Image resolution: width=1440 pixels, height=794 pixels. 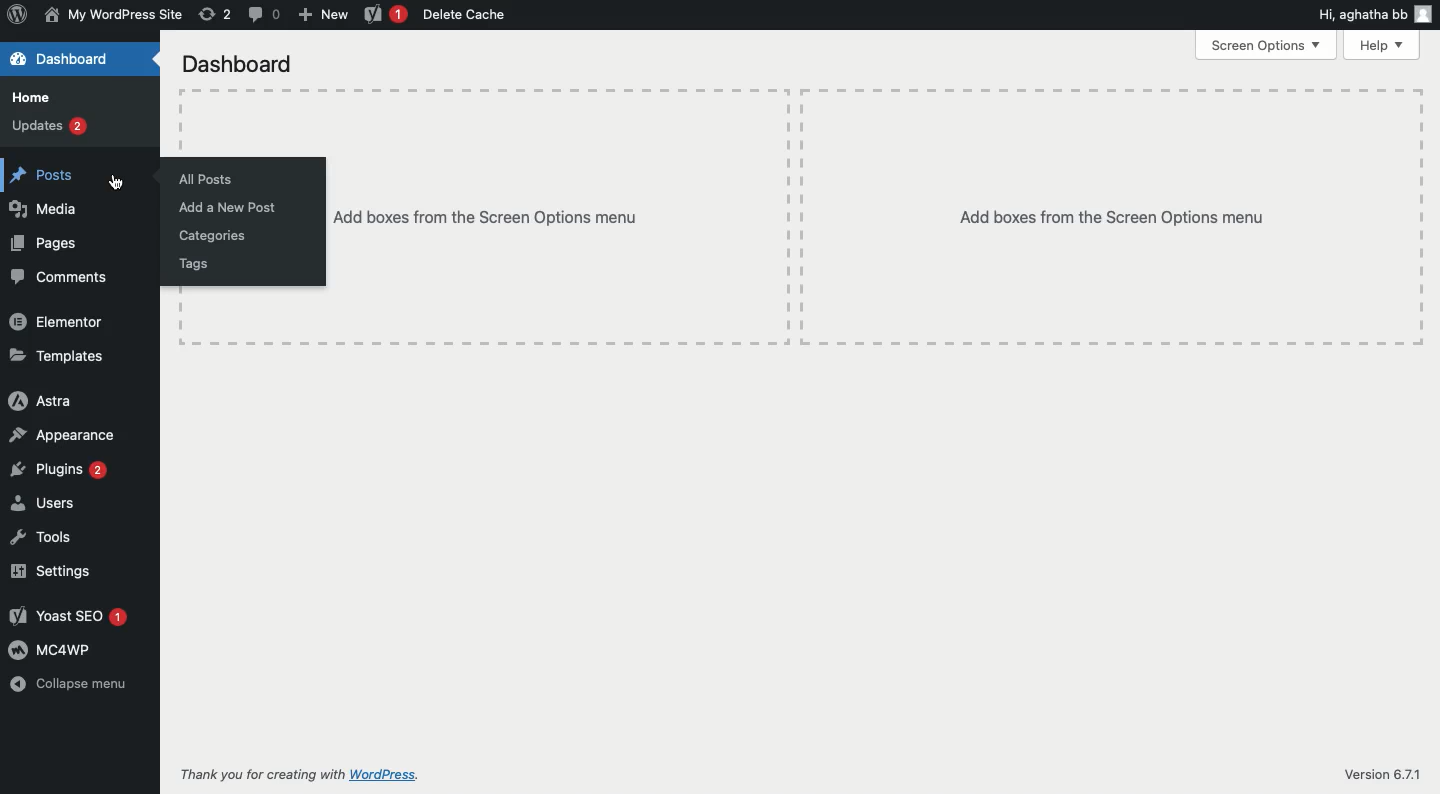 I want to click on Dashboard, so click(x=71, y=58).